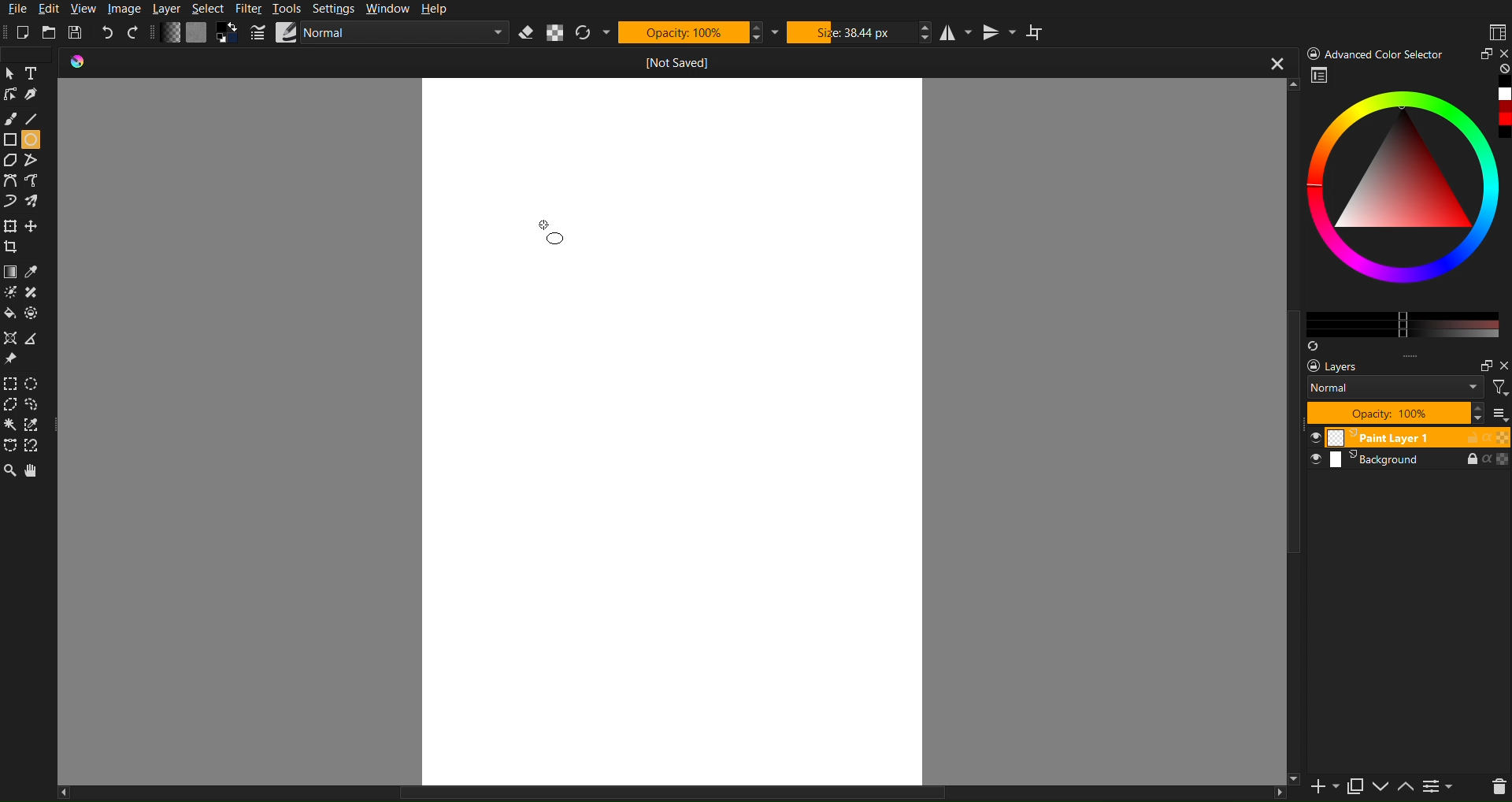 This screenshot has width=1512, height=802. What do you see at coordinates (439, 8) in the screenshot?
I see `Help` at bounding box center [439, 8].